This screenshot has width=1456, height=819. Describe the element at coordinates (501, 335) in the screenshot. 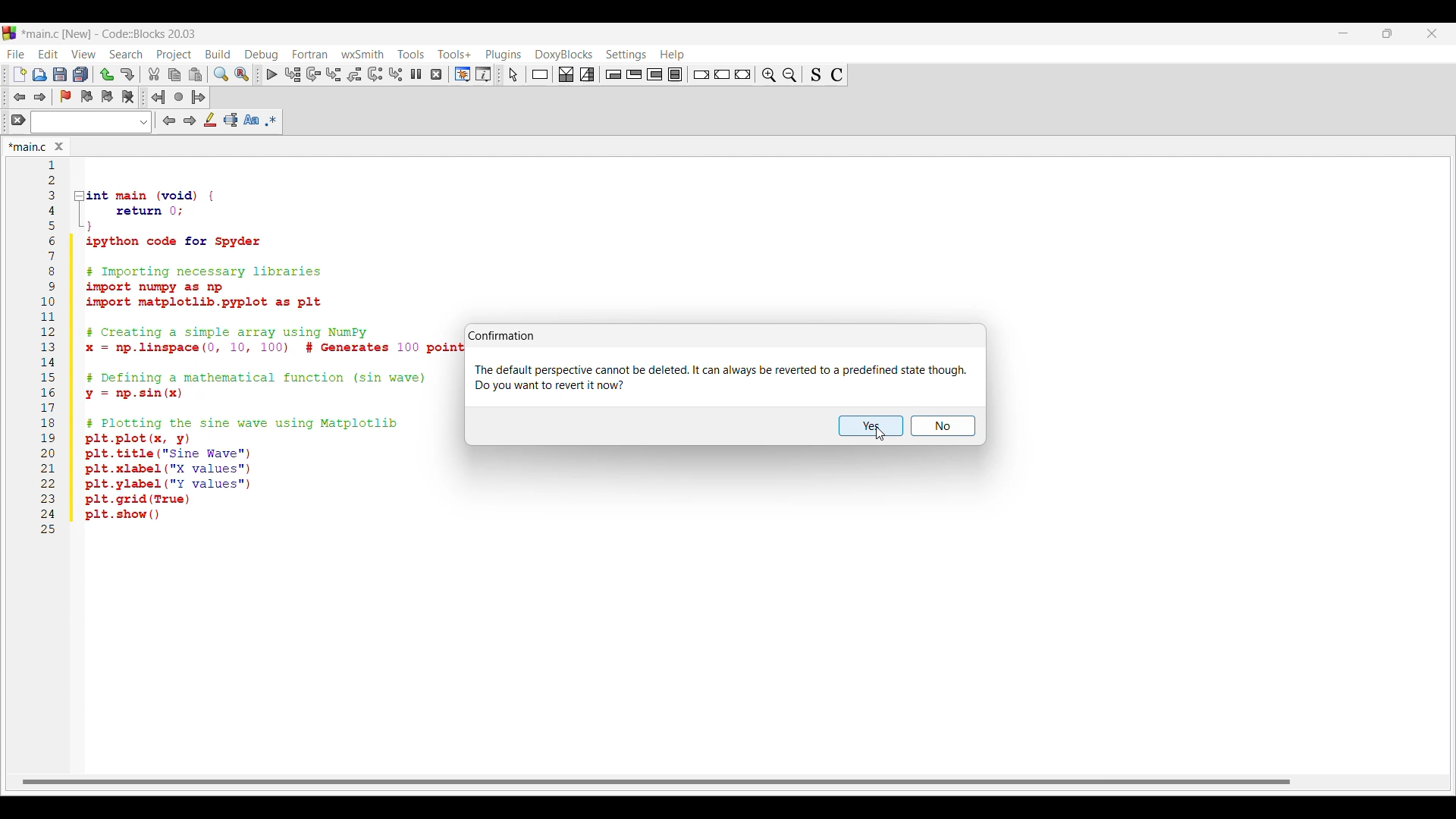

I see `Window title` at that location.